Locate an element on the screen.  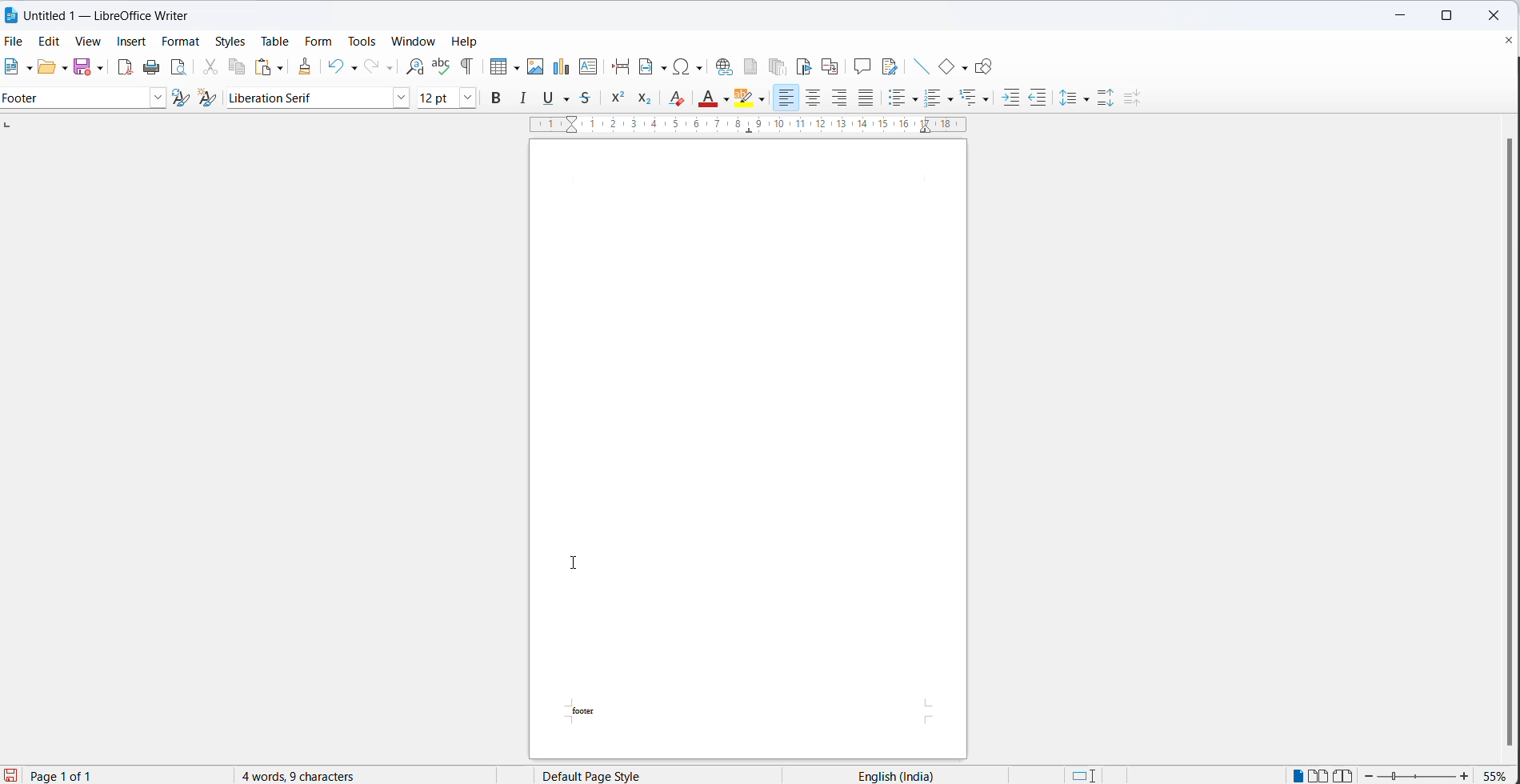
select outline format is located at coordinates (976, 99).